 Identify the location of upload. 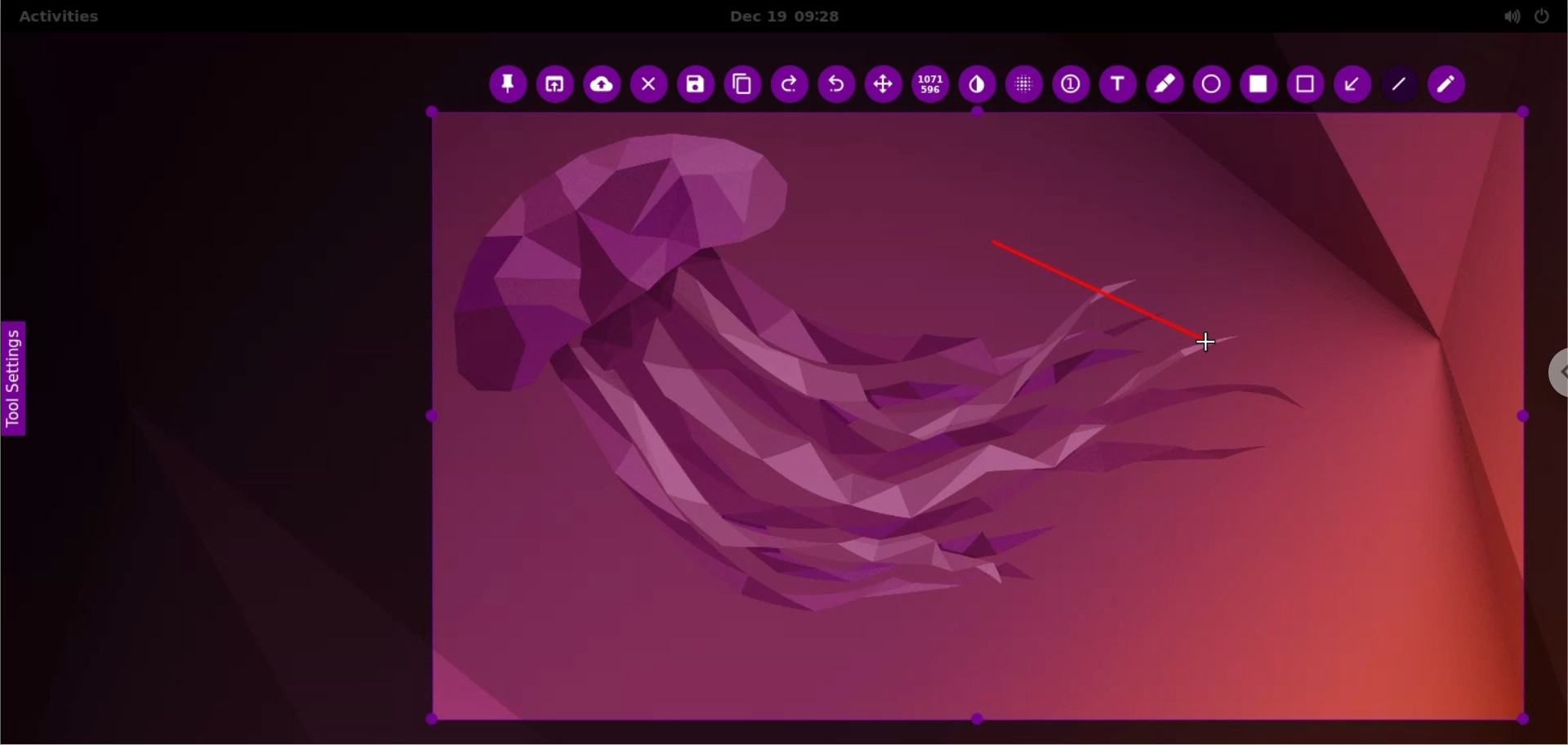
(604, 85).